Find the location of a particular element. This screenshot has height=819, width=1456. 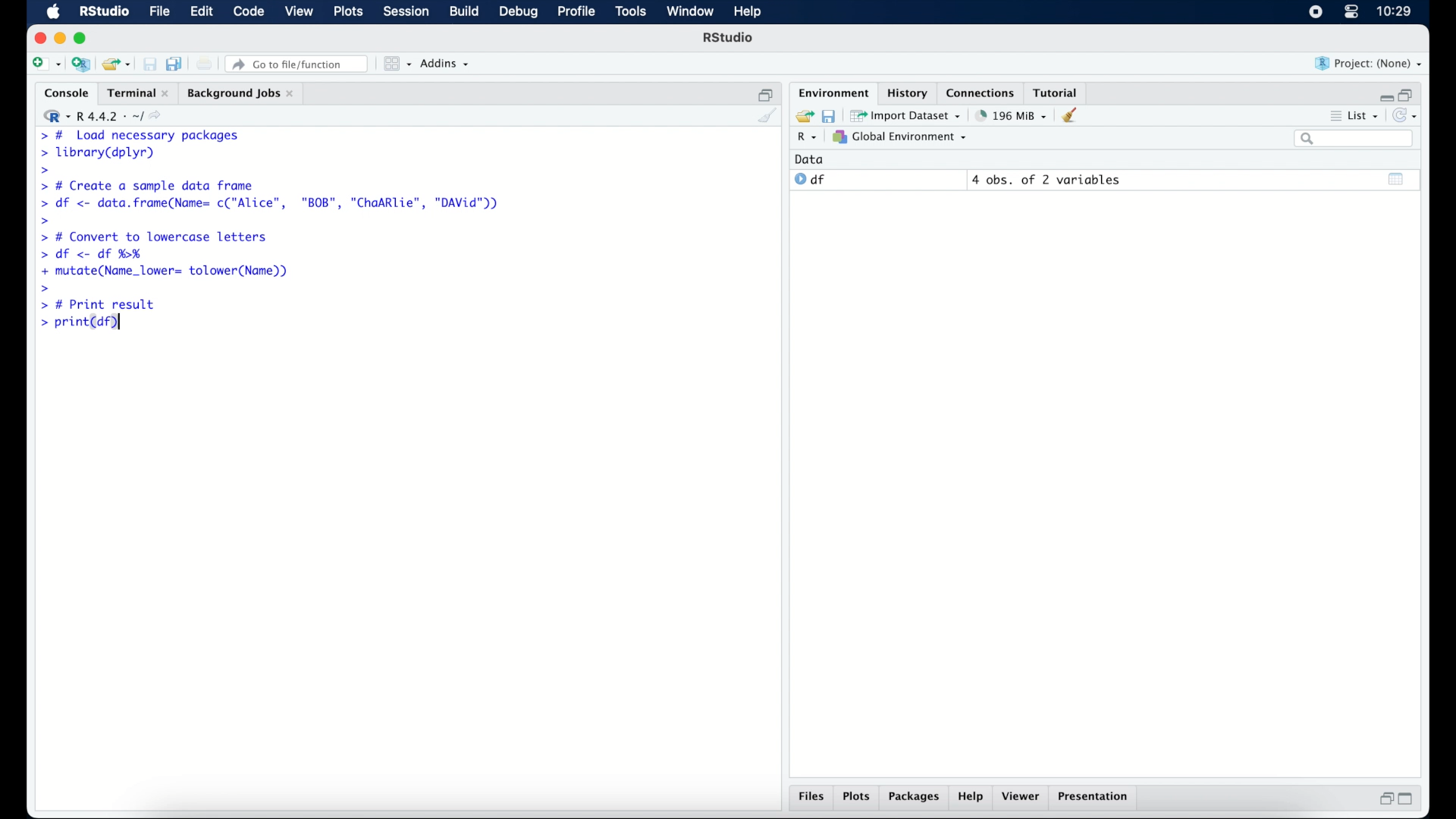

restore down is located at coordinates (1384, 800).